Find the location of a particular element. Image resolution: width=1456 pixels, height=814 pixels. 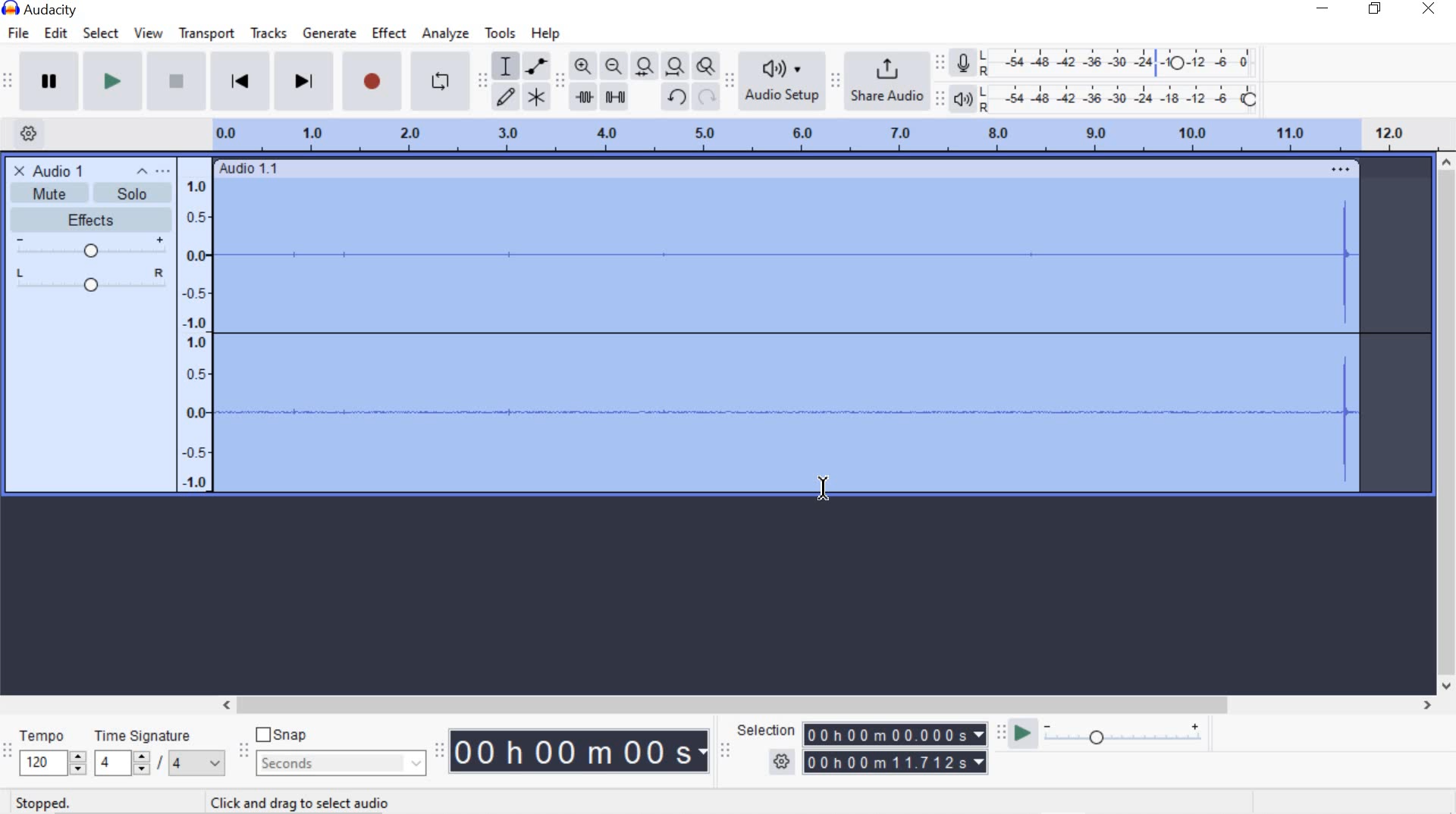

Stop is located at coordinates (174, 83).